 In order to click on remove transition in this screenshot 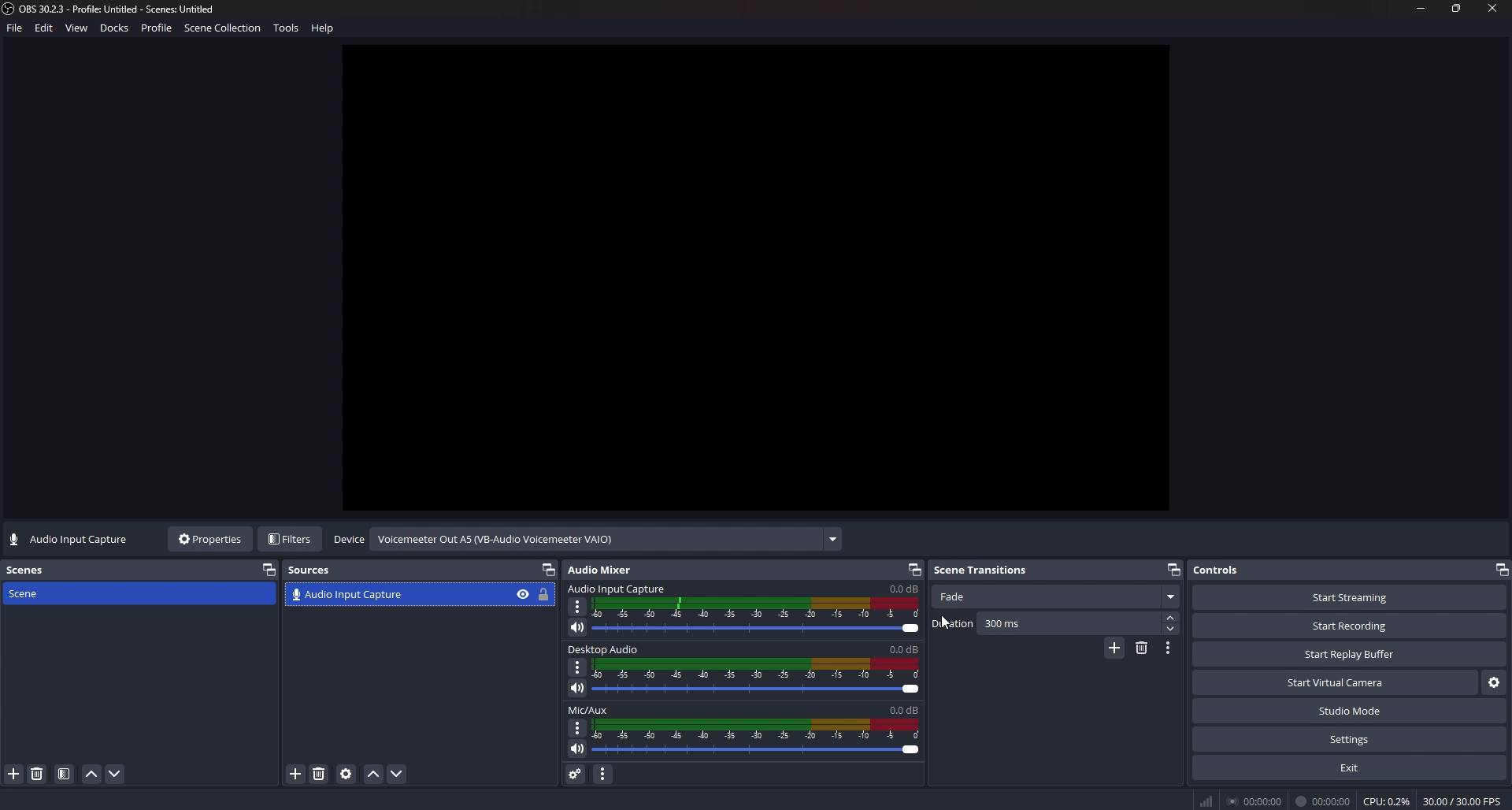, I will do `click(1142, 647)`.